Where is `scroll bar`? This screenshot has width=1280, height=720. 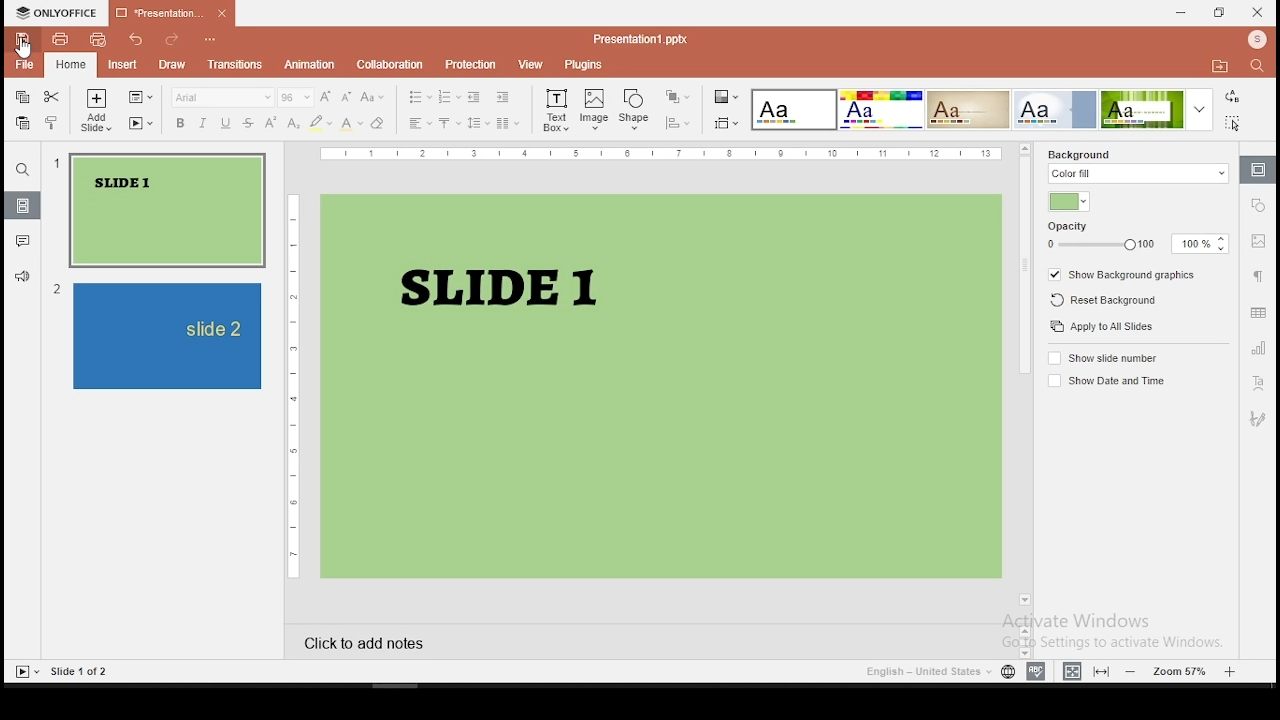 scroll bar is located at coordinates (1024, 381).